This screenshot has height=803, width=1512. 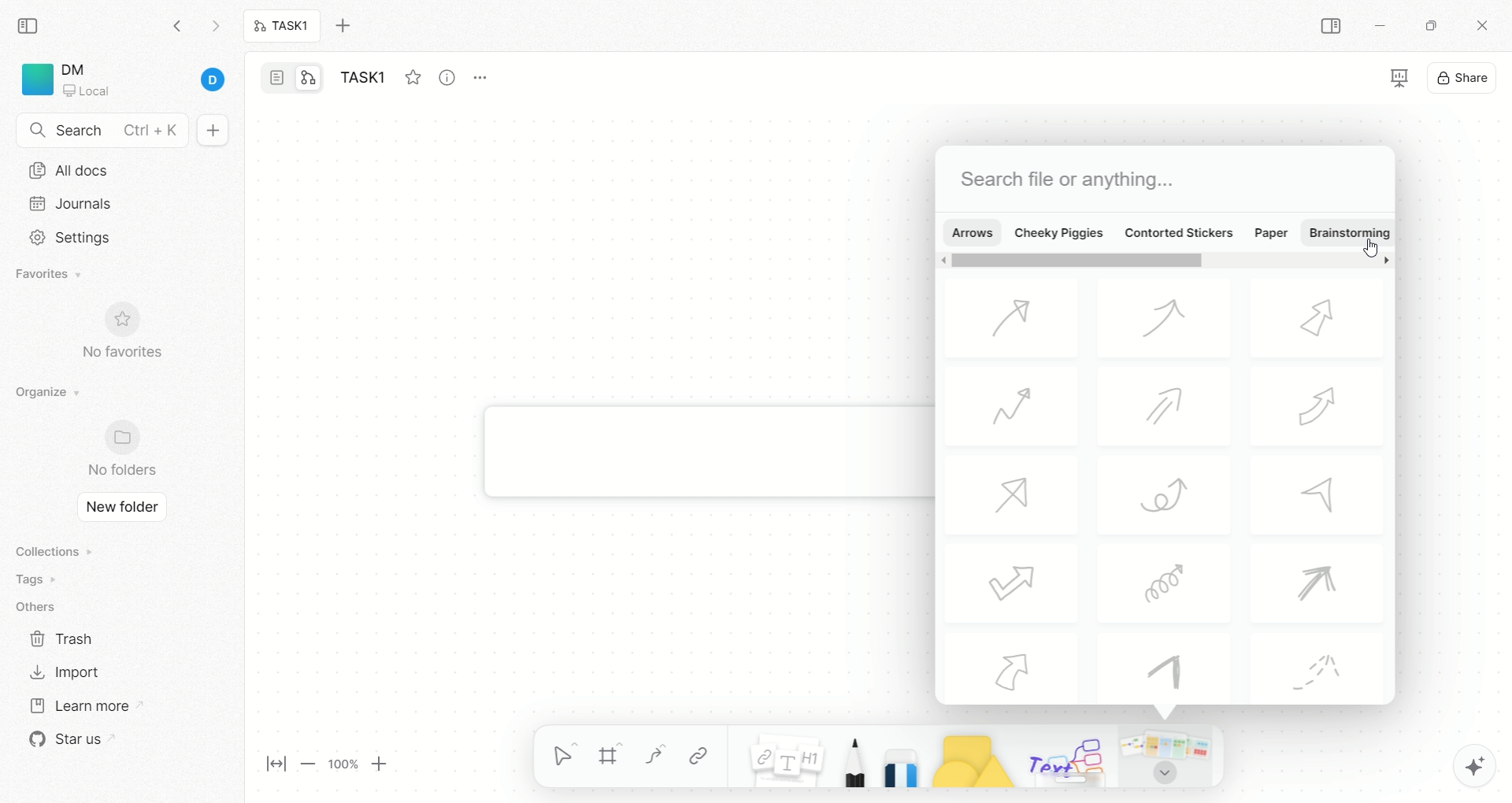 What do you see at coordinates (51, 551) in the screenshot?
I see `collections` at bounding box center [51, 551].